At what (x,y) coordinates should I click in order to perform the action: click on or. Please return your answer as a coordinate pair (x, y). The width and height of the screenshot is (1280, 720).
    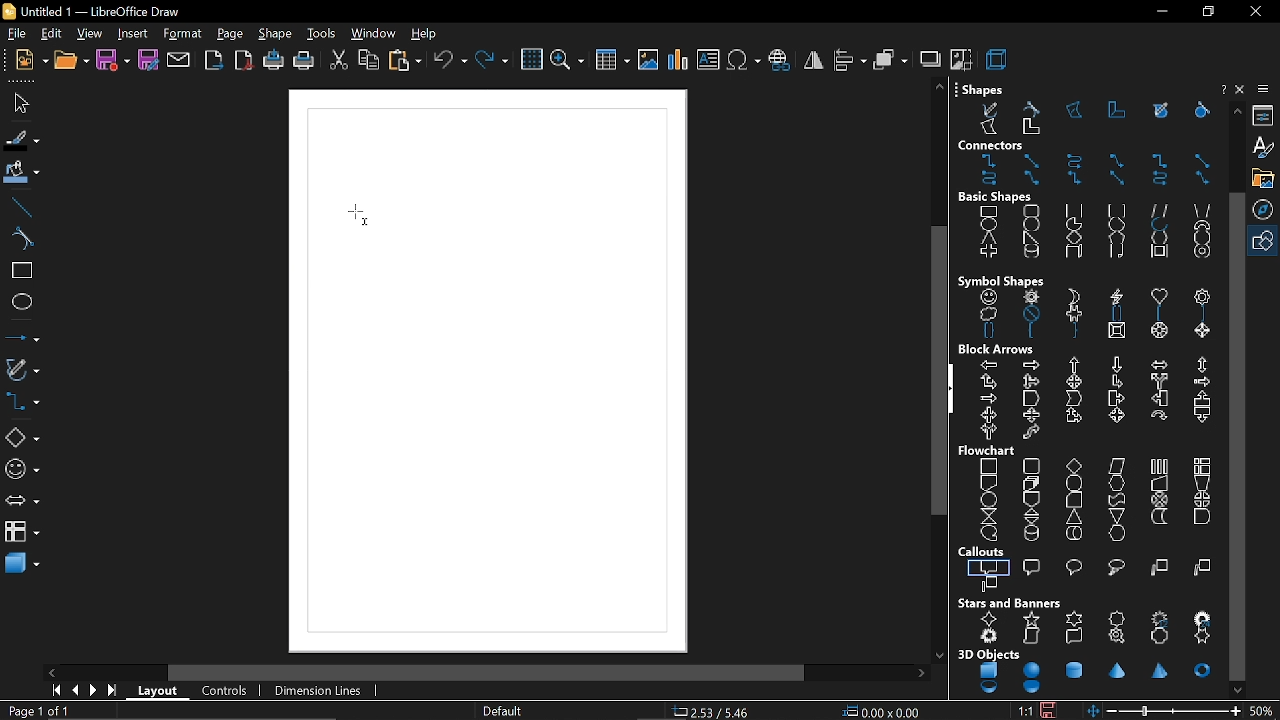
    Looking at the image, I should click on (1201, 499).